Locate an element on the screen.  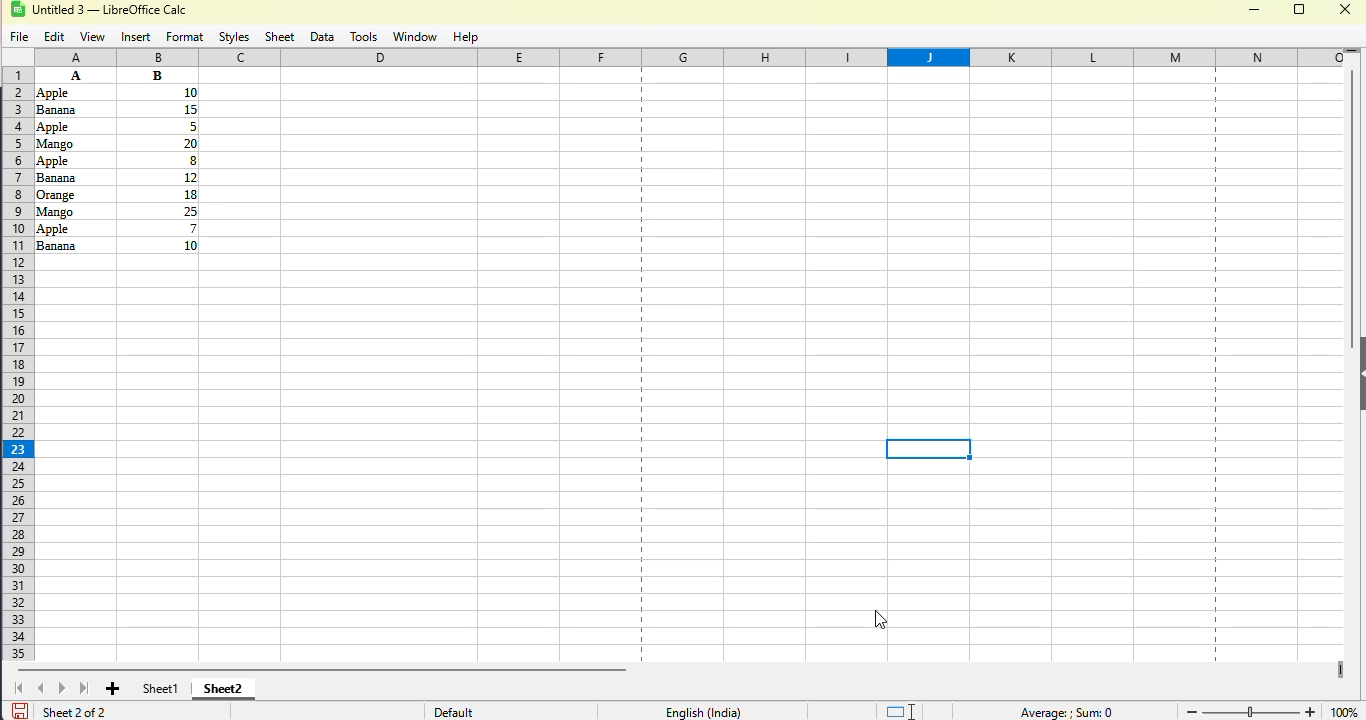
sheet 2 of 2 is located at coordinates (73, 711).